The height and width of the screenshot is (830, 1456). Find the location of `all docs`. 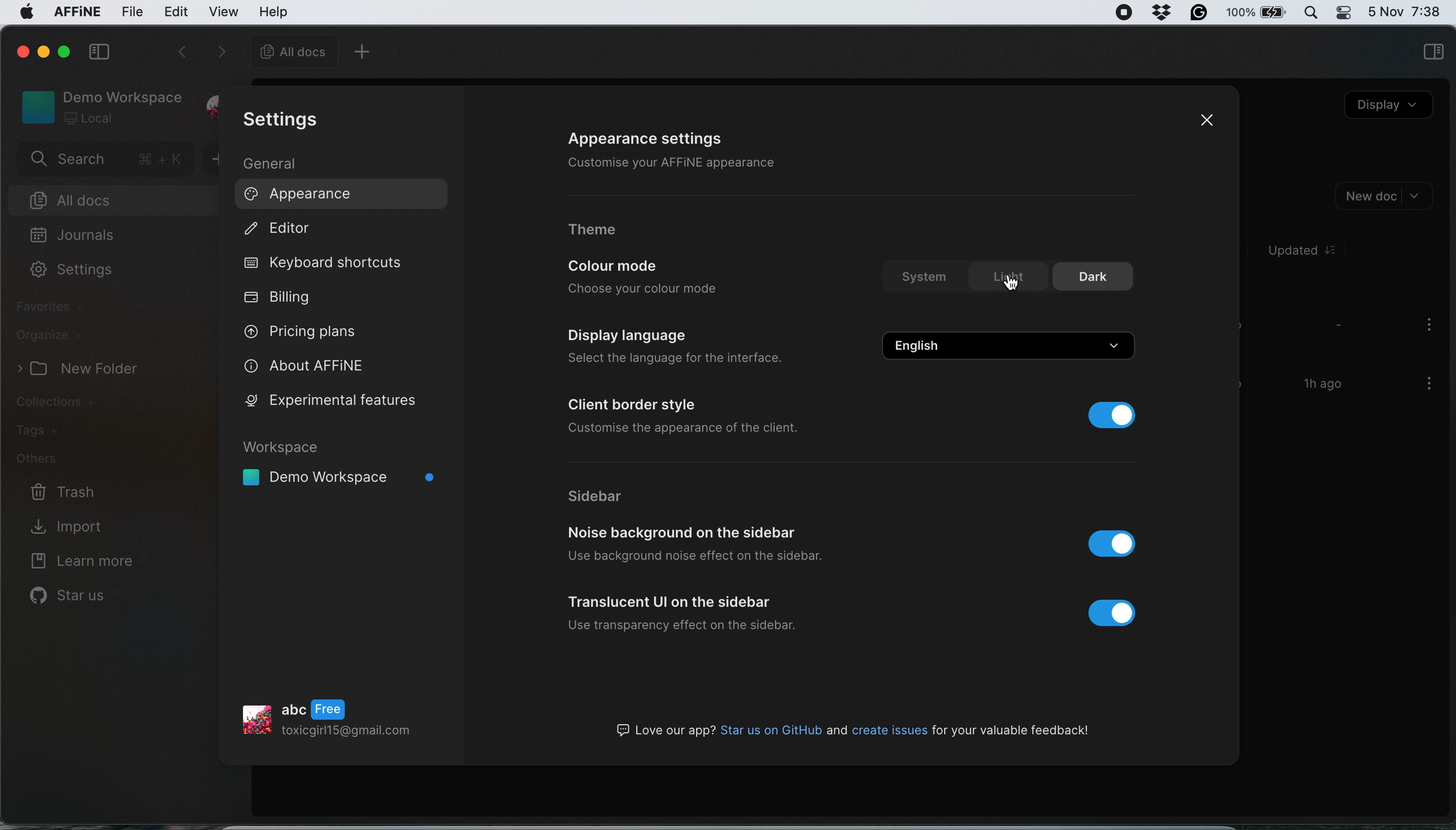

all docs is located at coordinates (103, 199).